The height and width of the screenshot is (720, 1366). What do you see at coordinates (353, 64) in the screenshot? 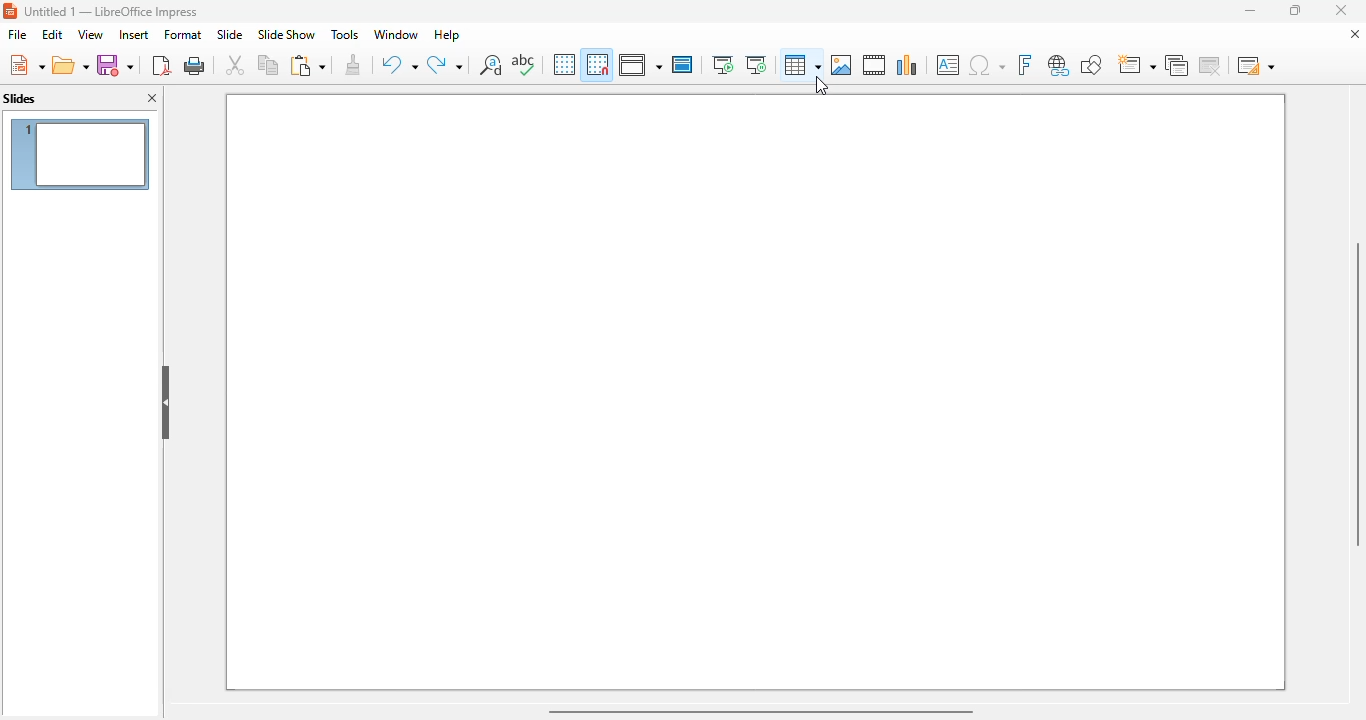
I see `clone formatting` at bounding box center [353, 64].